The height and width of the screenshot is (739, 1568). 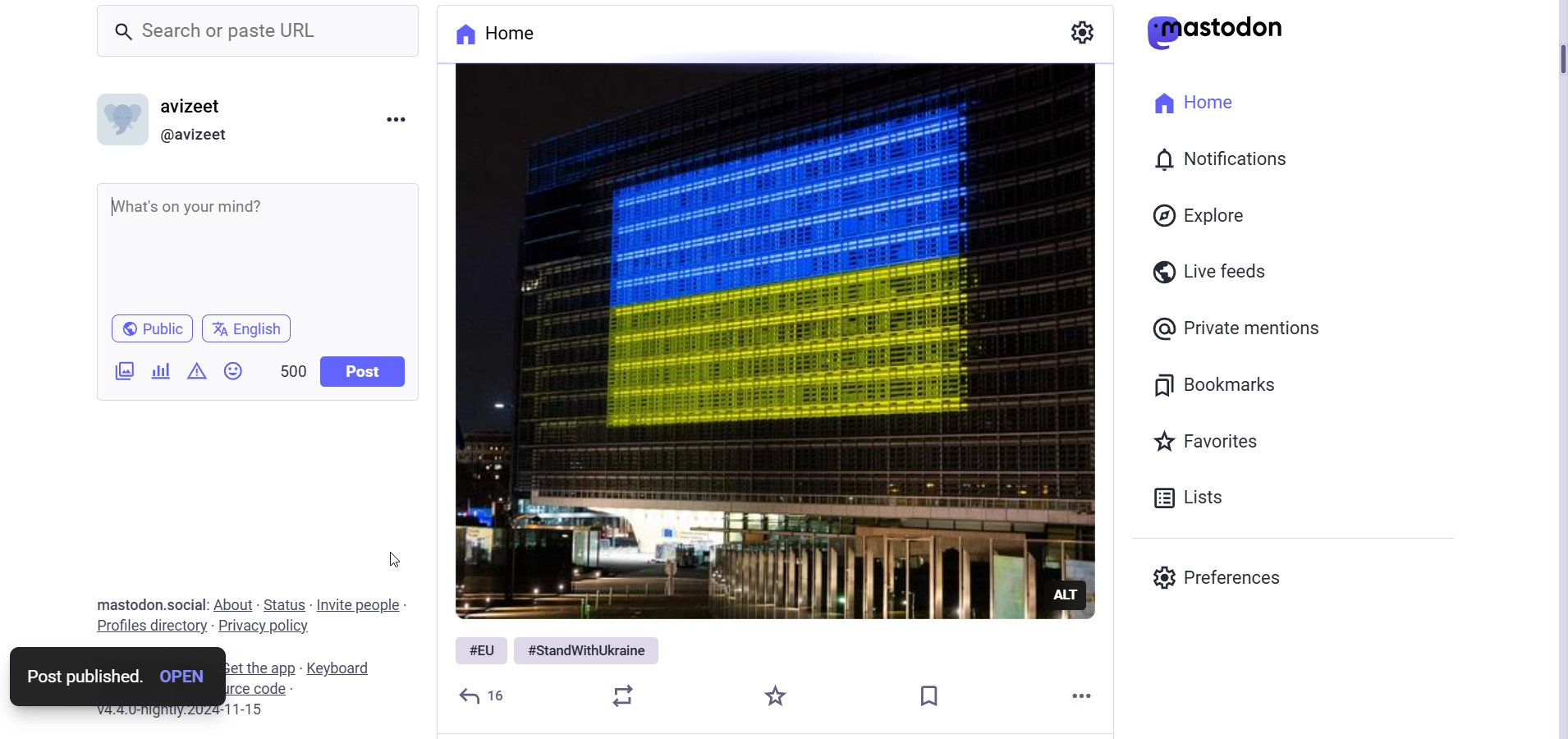 What do you see at coordinates (153, 605) in the screenshot?
I see `Text` at bounding box center [153, 605].